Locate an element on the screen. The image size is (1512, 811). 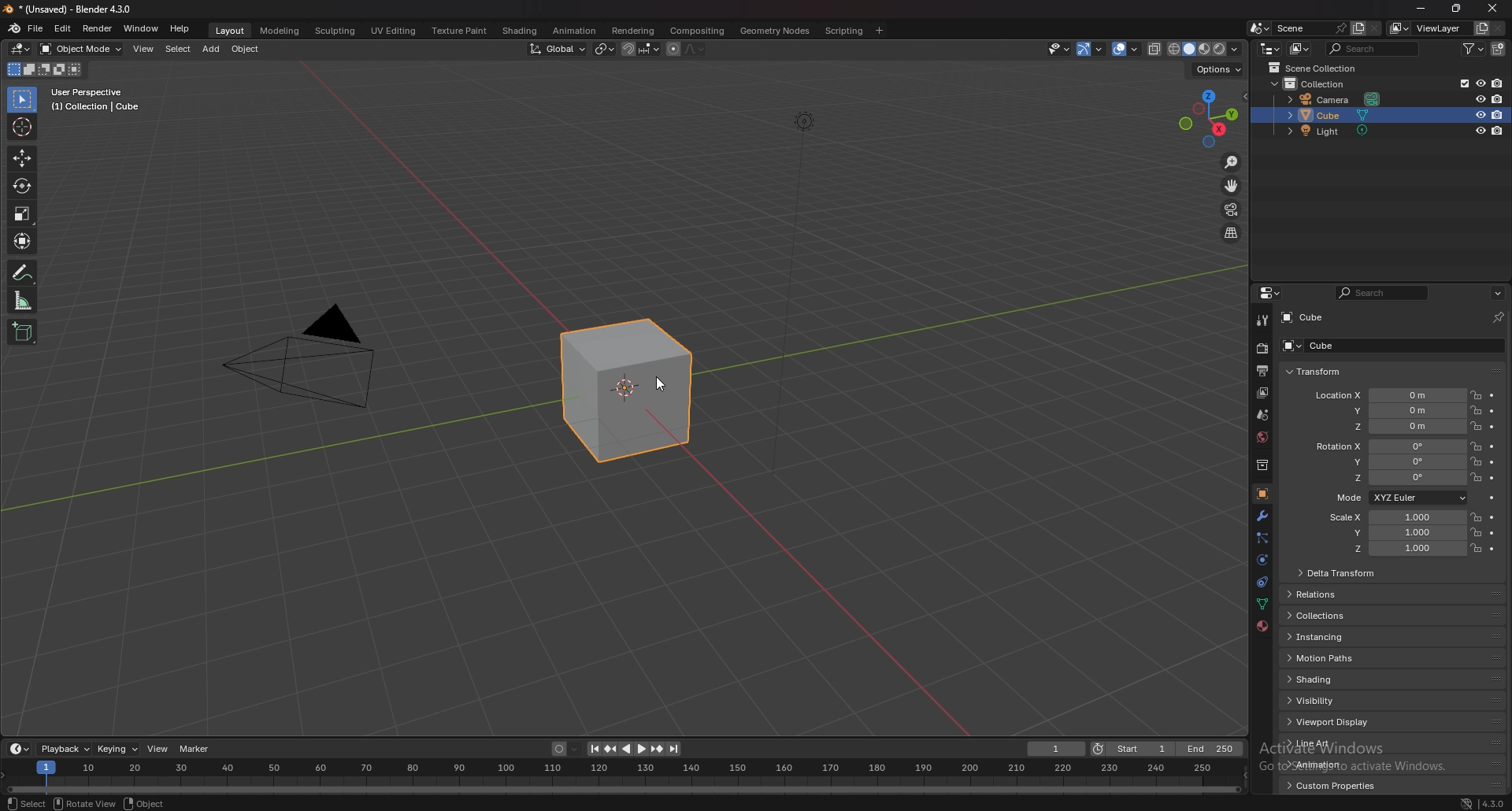
hide in viewport is located at coordinates (1480, 83).